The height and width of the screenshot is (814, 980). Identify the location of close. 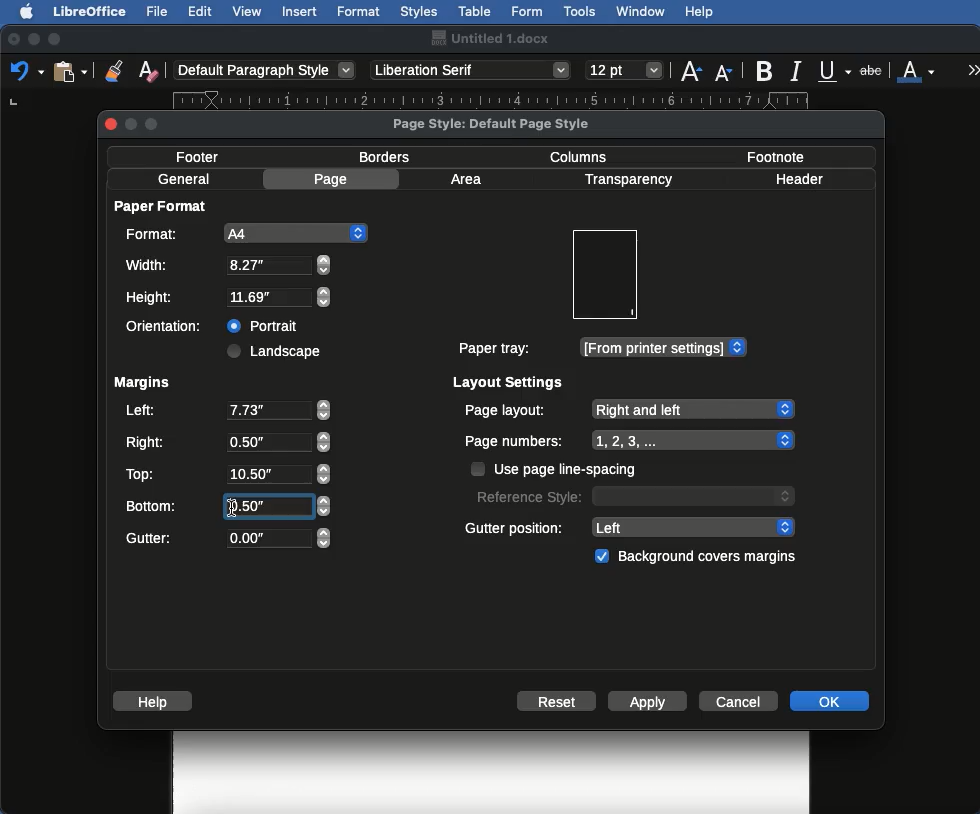
(109, 124).